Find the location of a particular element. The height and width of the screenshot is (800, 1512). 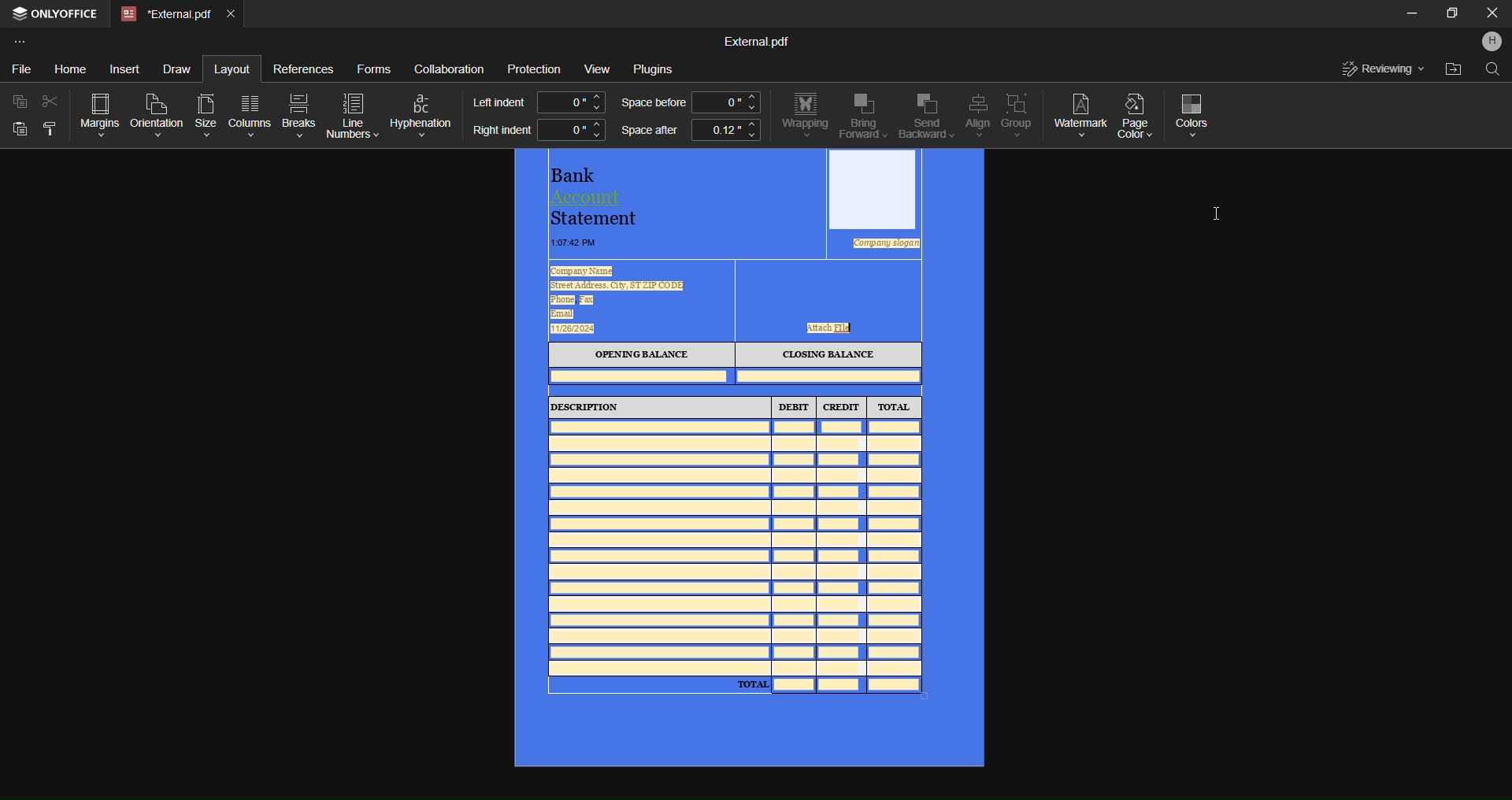

Move Forward is located at coordinates (863, 117).